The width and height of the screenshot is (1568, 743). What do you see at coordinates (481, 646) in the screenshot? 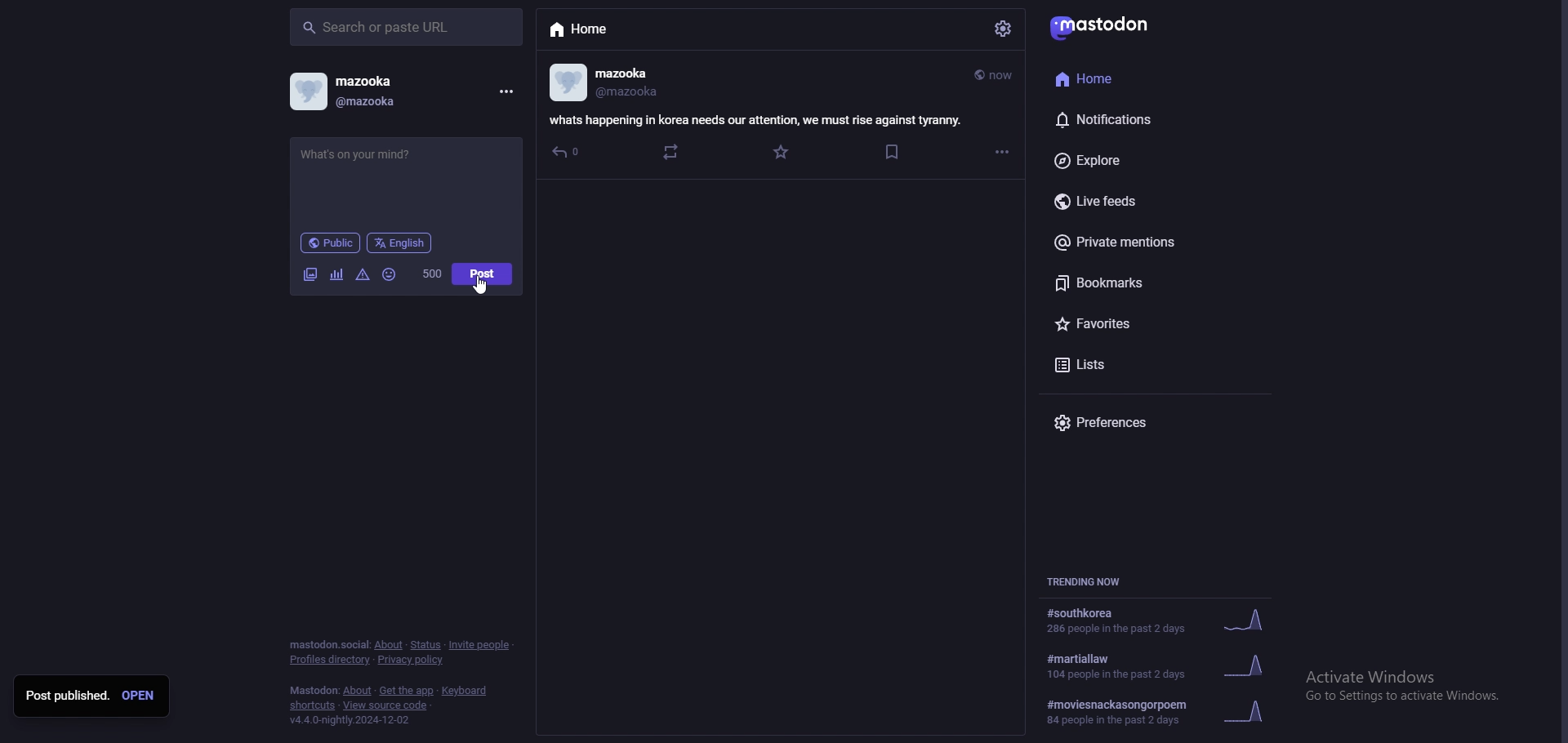
I see `invite people` at bounding box center [481, 646].